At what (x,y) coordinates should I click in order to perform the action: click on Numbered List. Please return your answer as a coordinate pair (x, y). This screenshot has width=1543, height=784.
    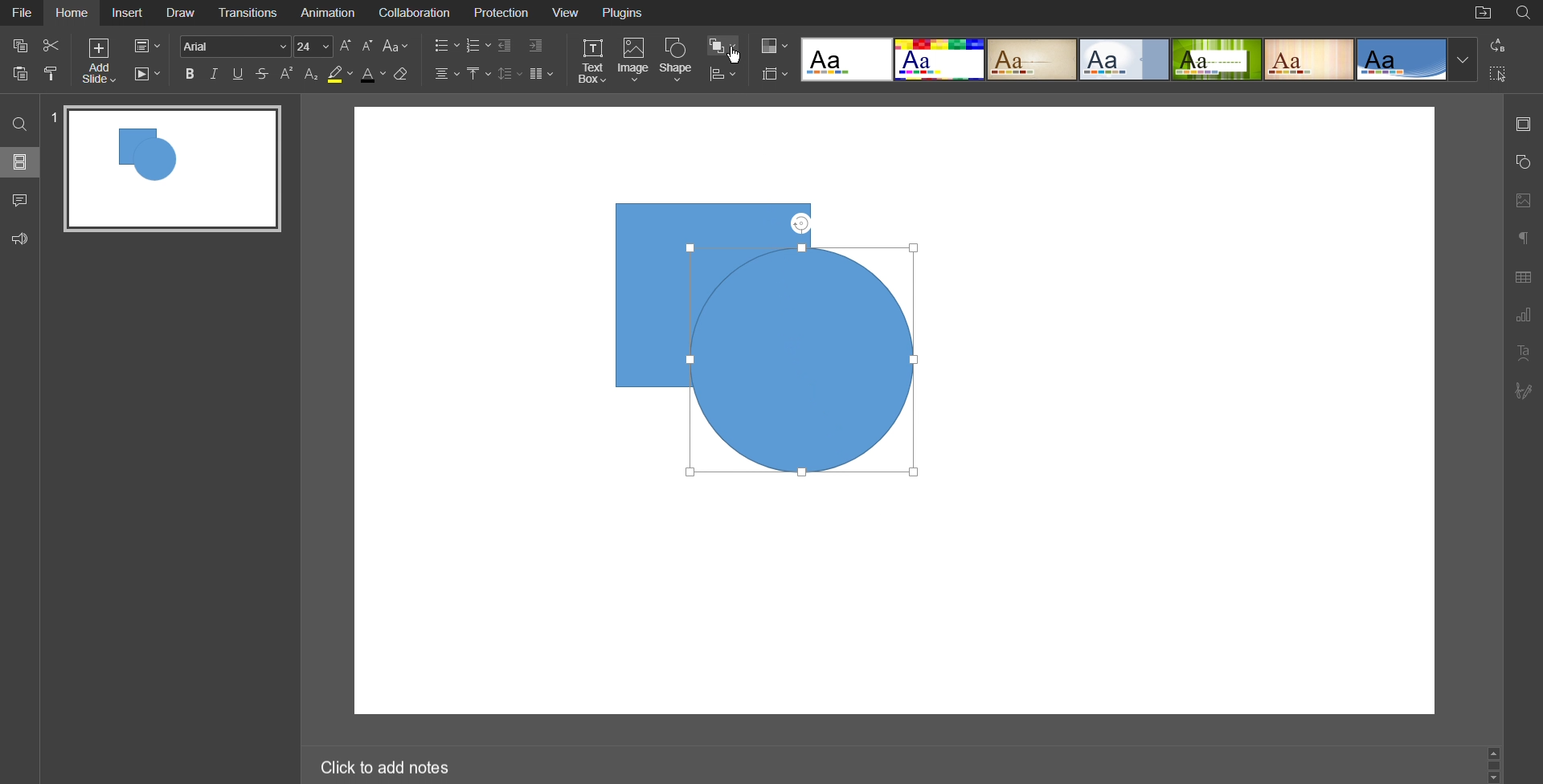
    Looking at the image, I should click on (478, 45).